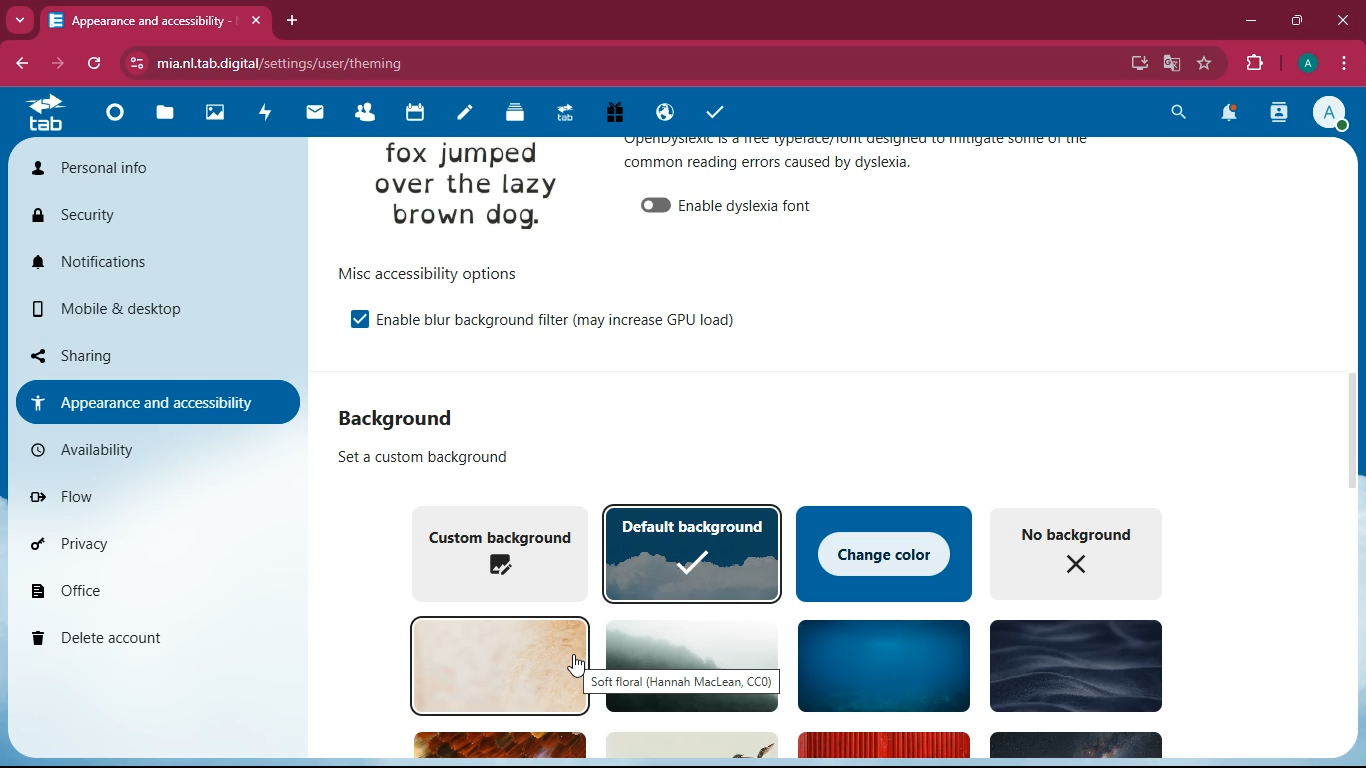  What do you see at coordinates (869, 161) in the screenshot?
I see `appearance` at bounding box center [869, 161].